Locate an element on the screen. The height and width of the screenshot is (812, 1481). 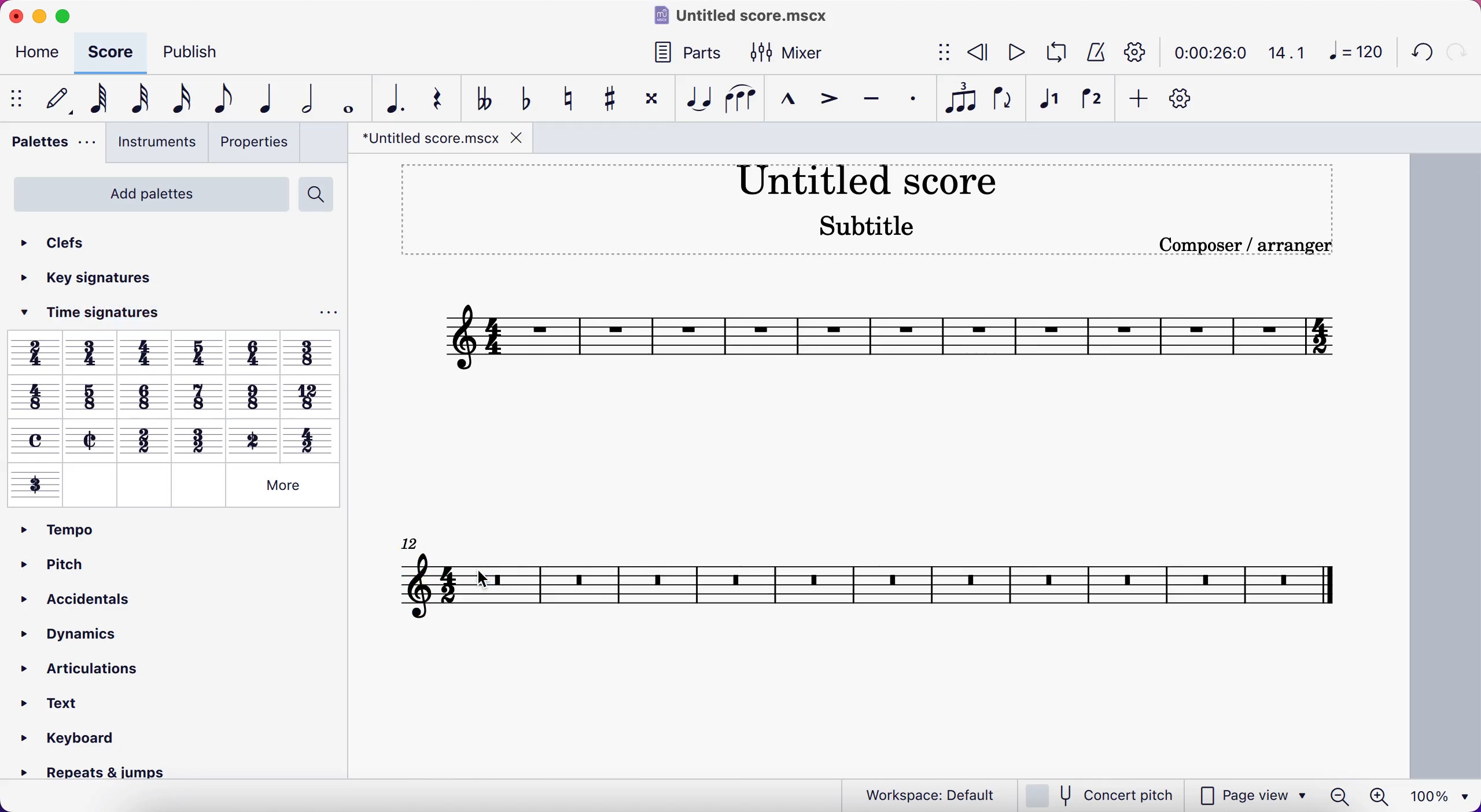
mixer is located at coordinates (788, 51).